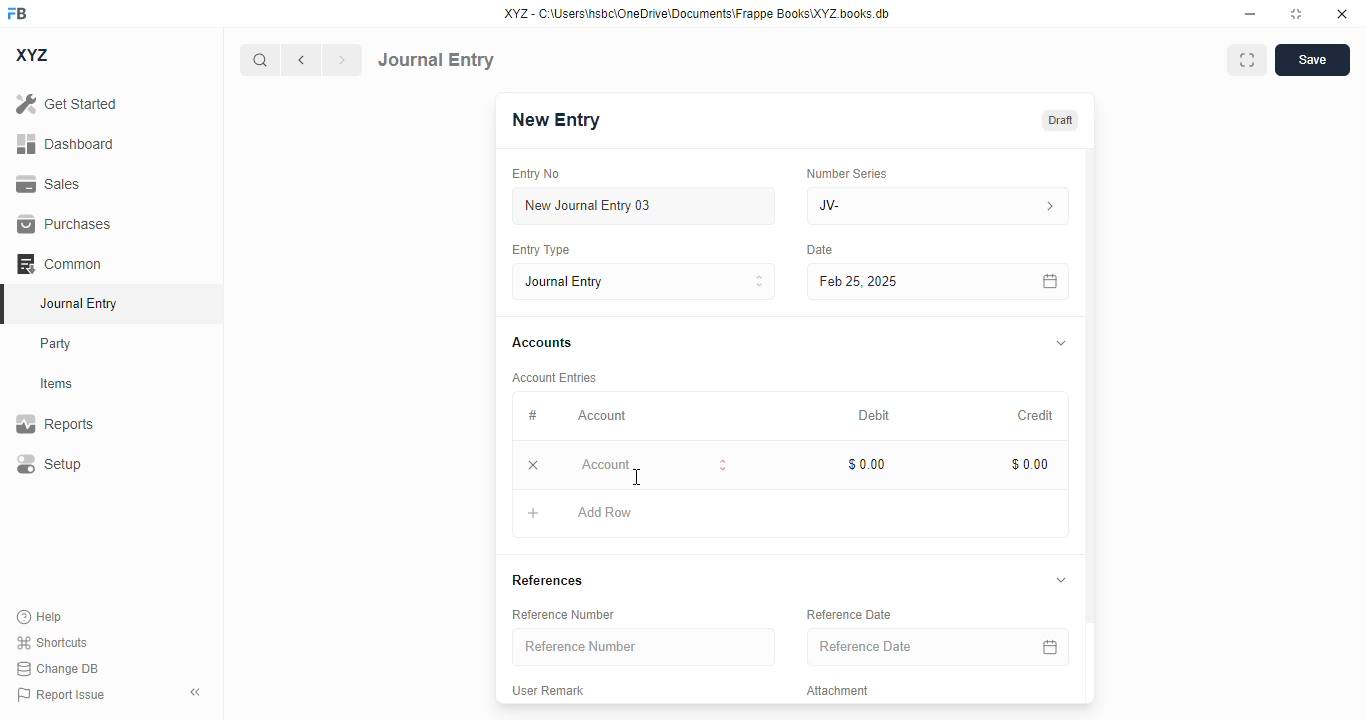  What do you see at coordinates (536, 174) in the screenshot?
I see `entry no` at bounding box center [536, 174].